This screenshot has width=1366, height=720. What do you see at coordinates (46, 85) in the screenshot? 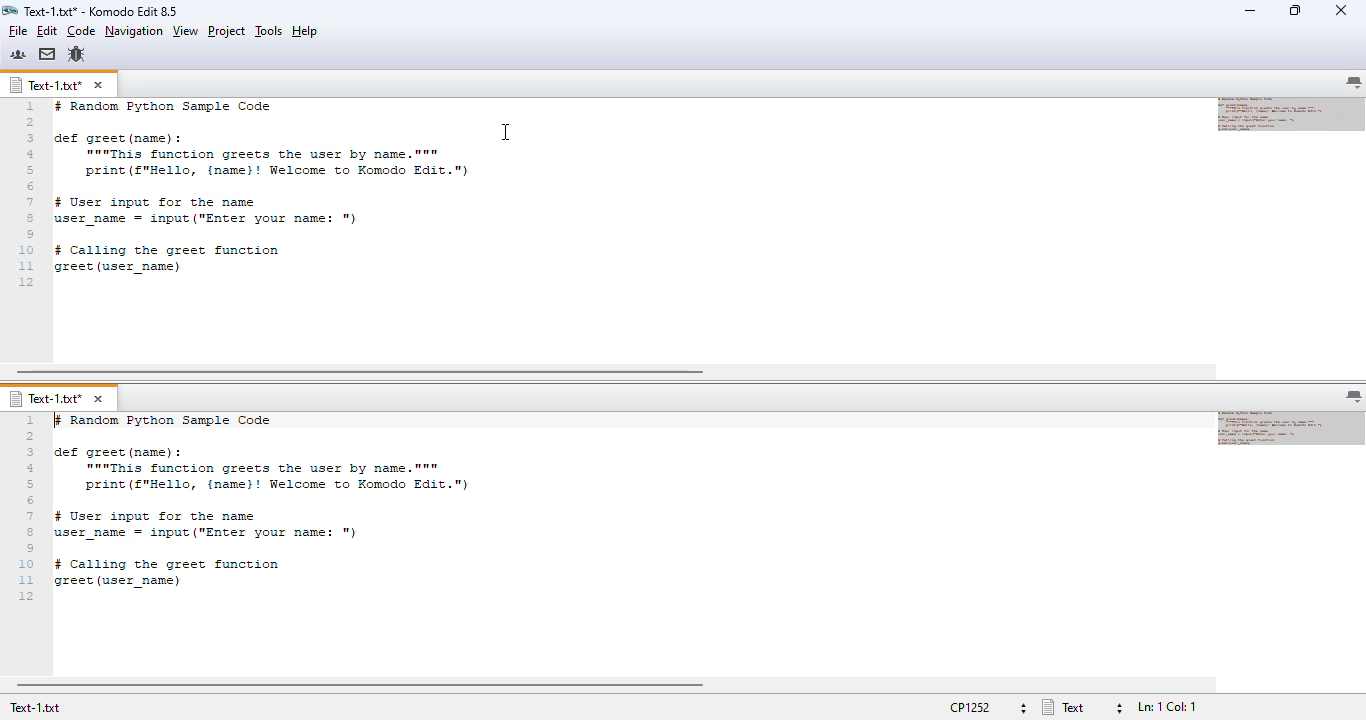
I see `text-1` at bounding box center [46, 85].